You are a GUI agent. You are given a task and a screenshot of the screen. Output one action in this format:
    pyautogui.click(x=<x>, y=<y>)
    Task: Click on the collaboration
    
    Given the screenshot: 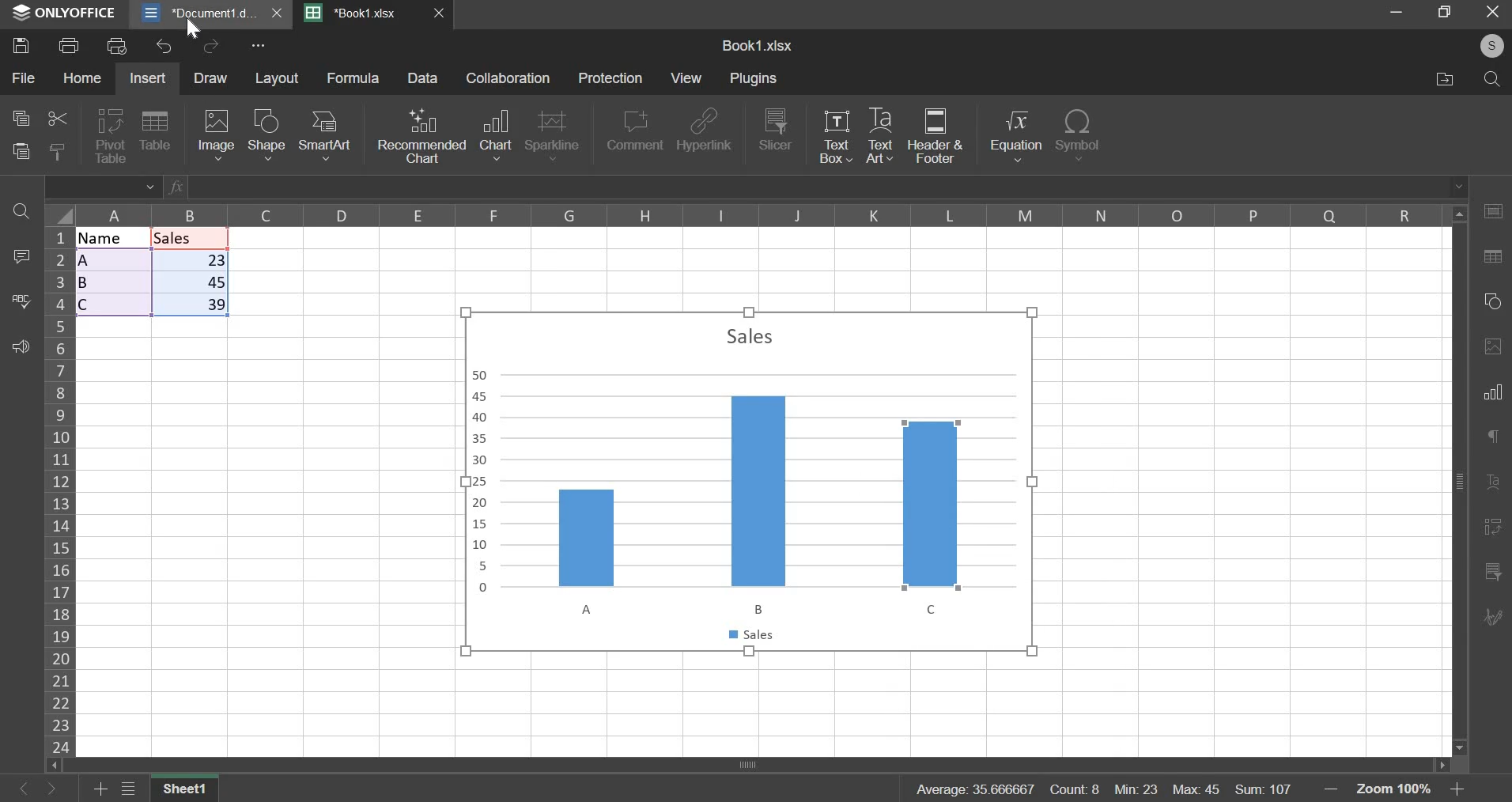 What is the action you would take?
    pyautogui.click(x=508, y=78)
    